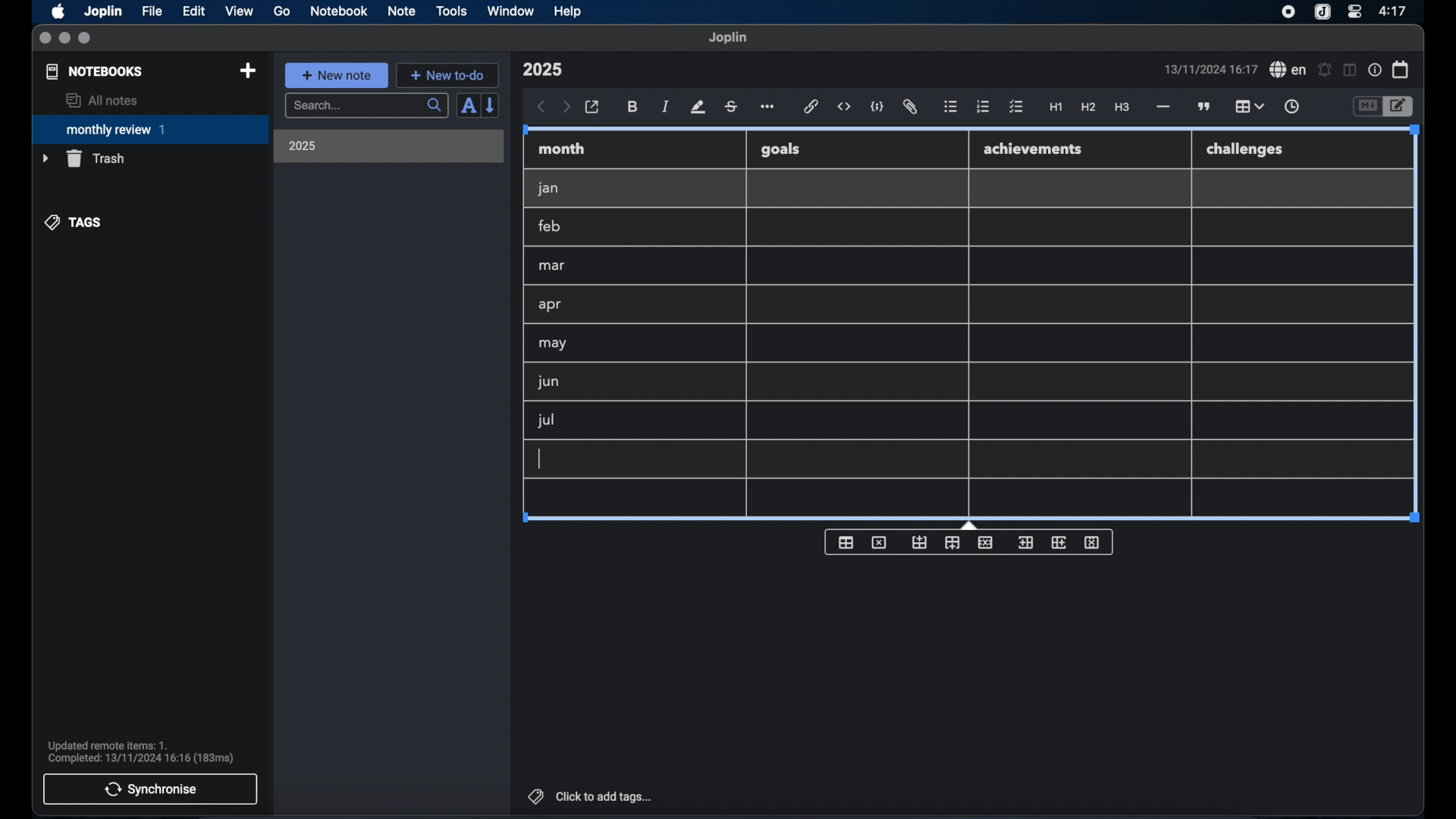 The height and width of the screenshot is (819, 1456). I want to click on toggle editor, so click(1401, 107).